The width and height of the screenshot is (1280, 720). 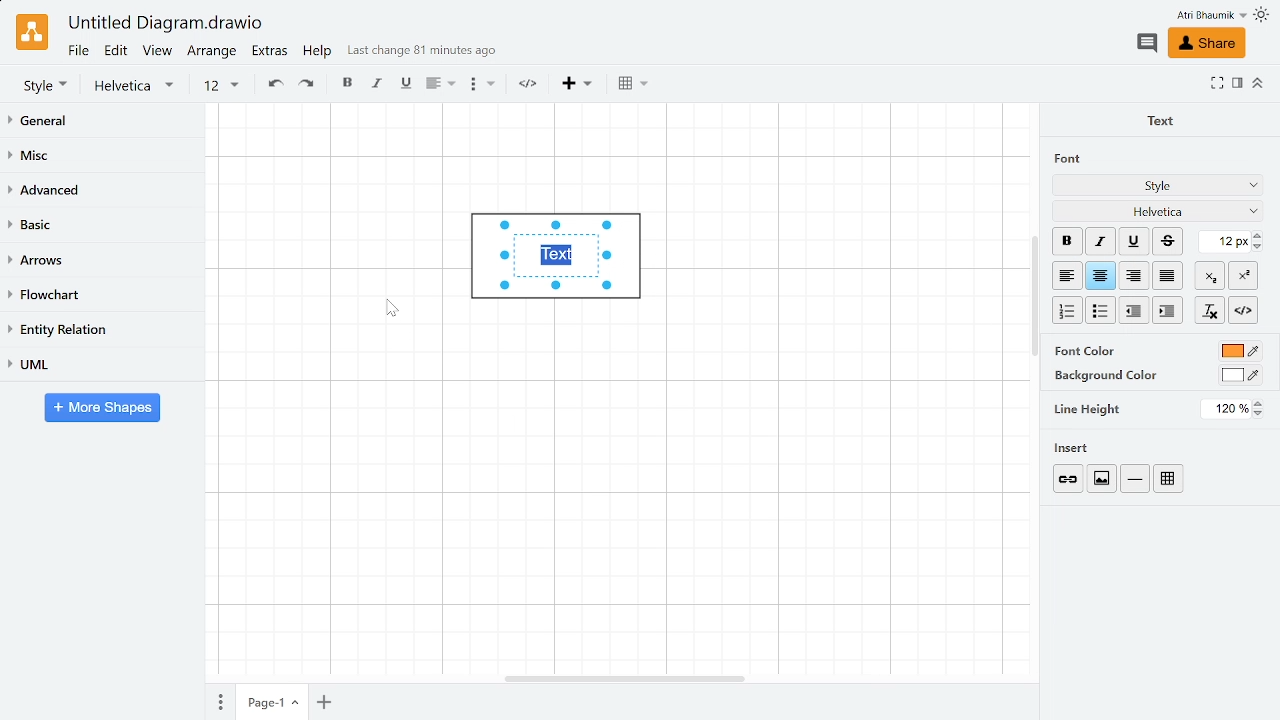 I want to click on Vertical scrollbar, so click(x=1035, y=299).